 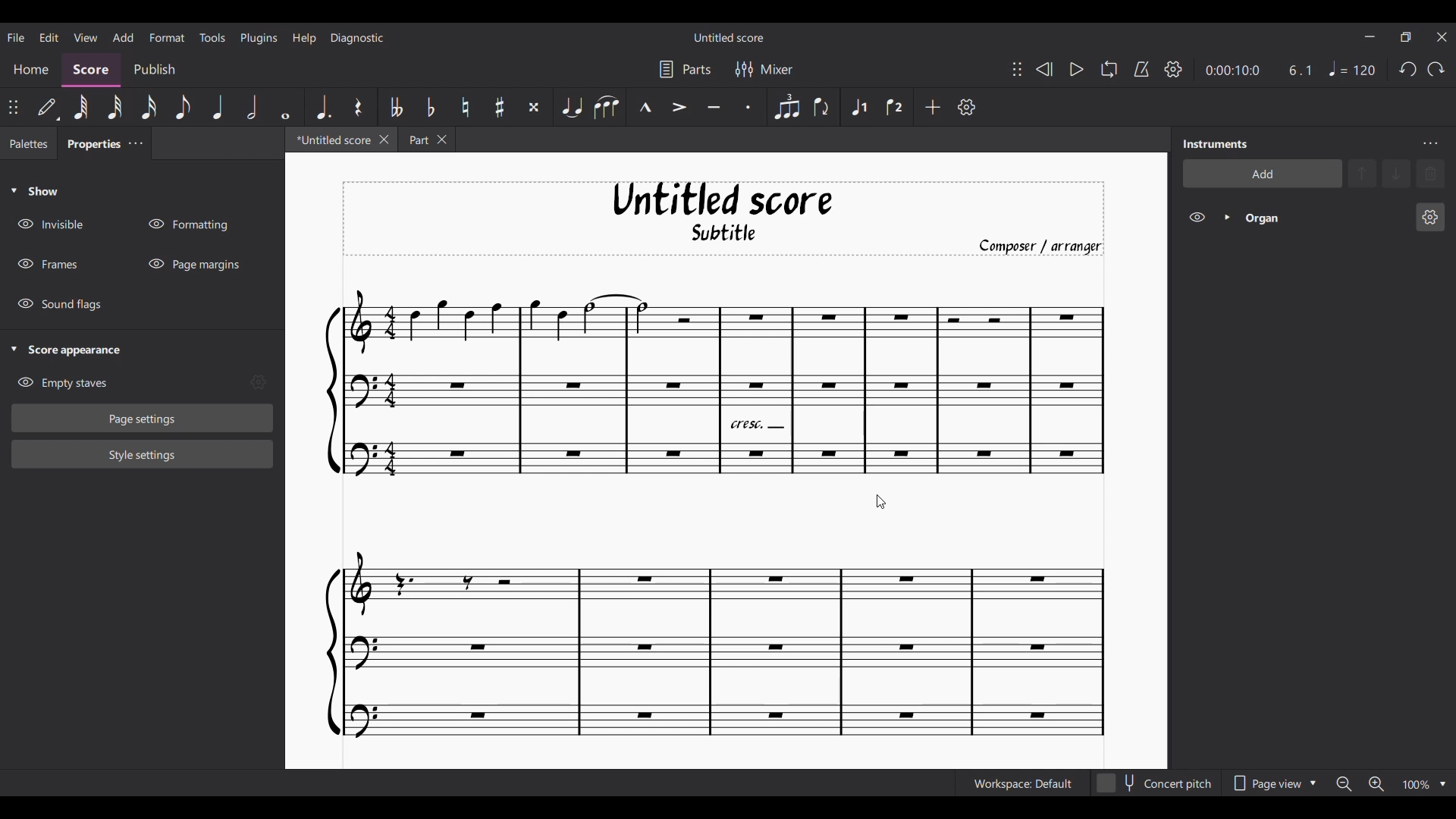 What do you see at coordinates (212, 36) in the screenshot?
I see `Tools menu` at bounding box center [212, 36].